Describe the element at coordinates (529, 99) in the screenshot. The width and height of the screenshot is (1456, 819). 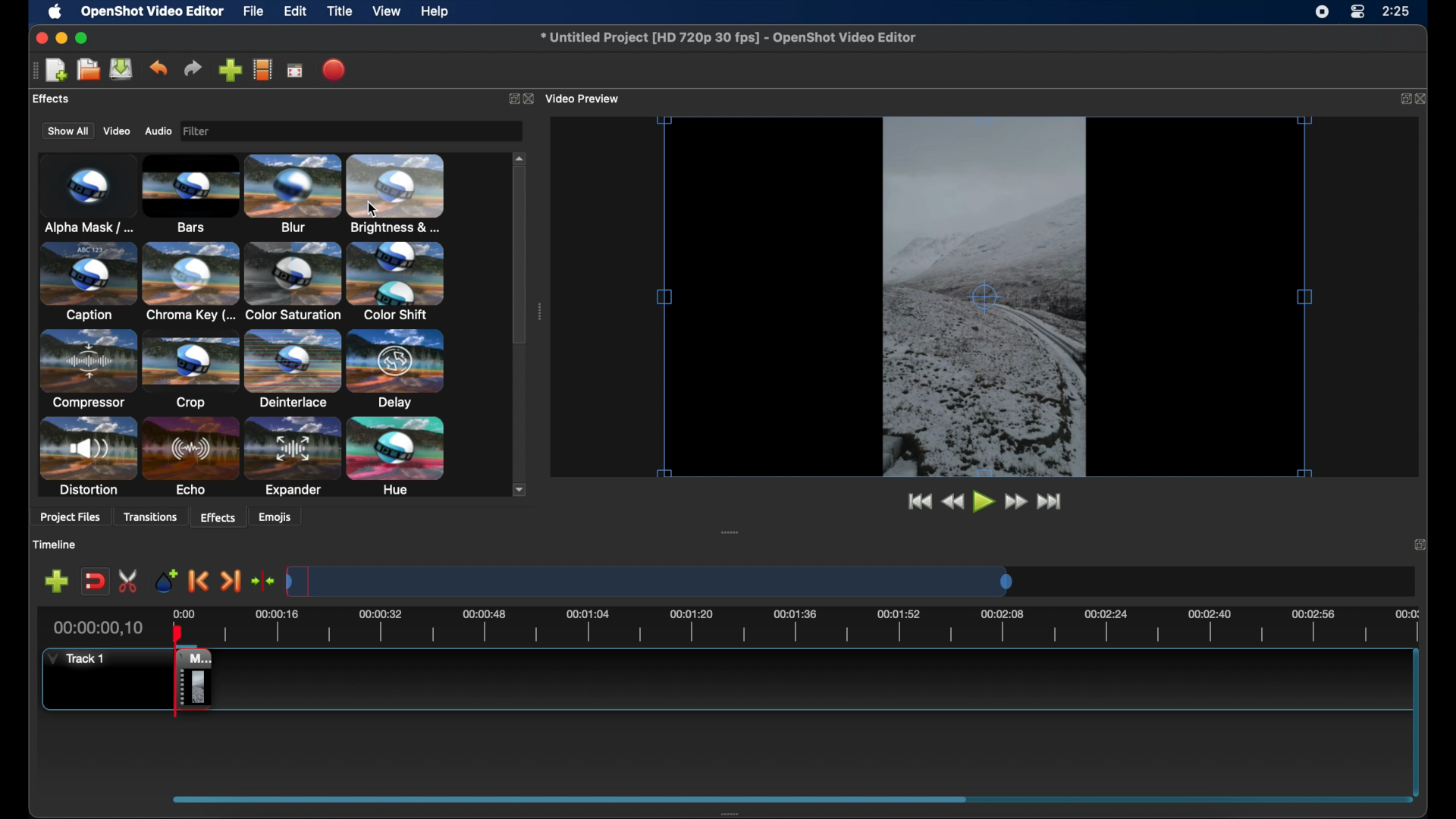
I see `close` at that location.